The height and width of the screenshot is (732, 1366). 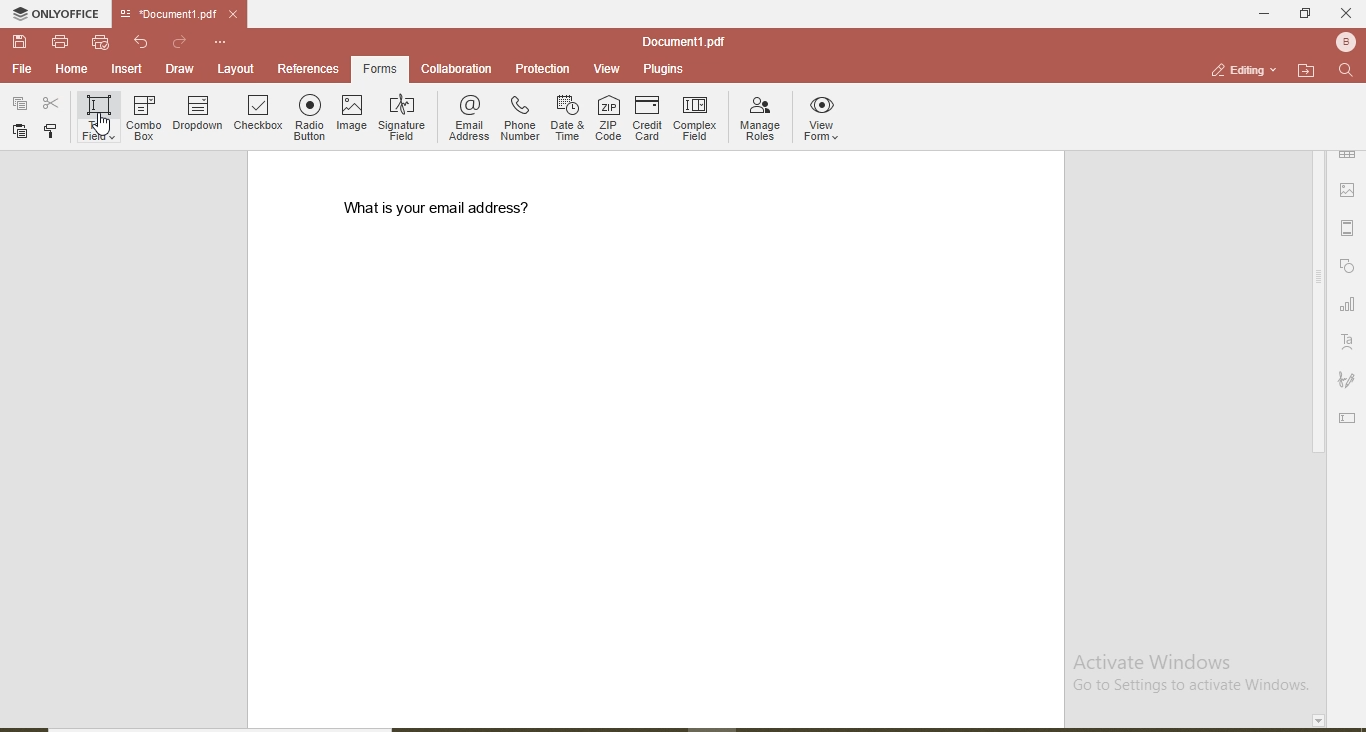 What do you see at coordinates (311, 115) in the screenshot?
I see `radio button` at bounding box center [311, 115].